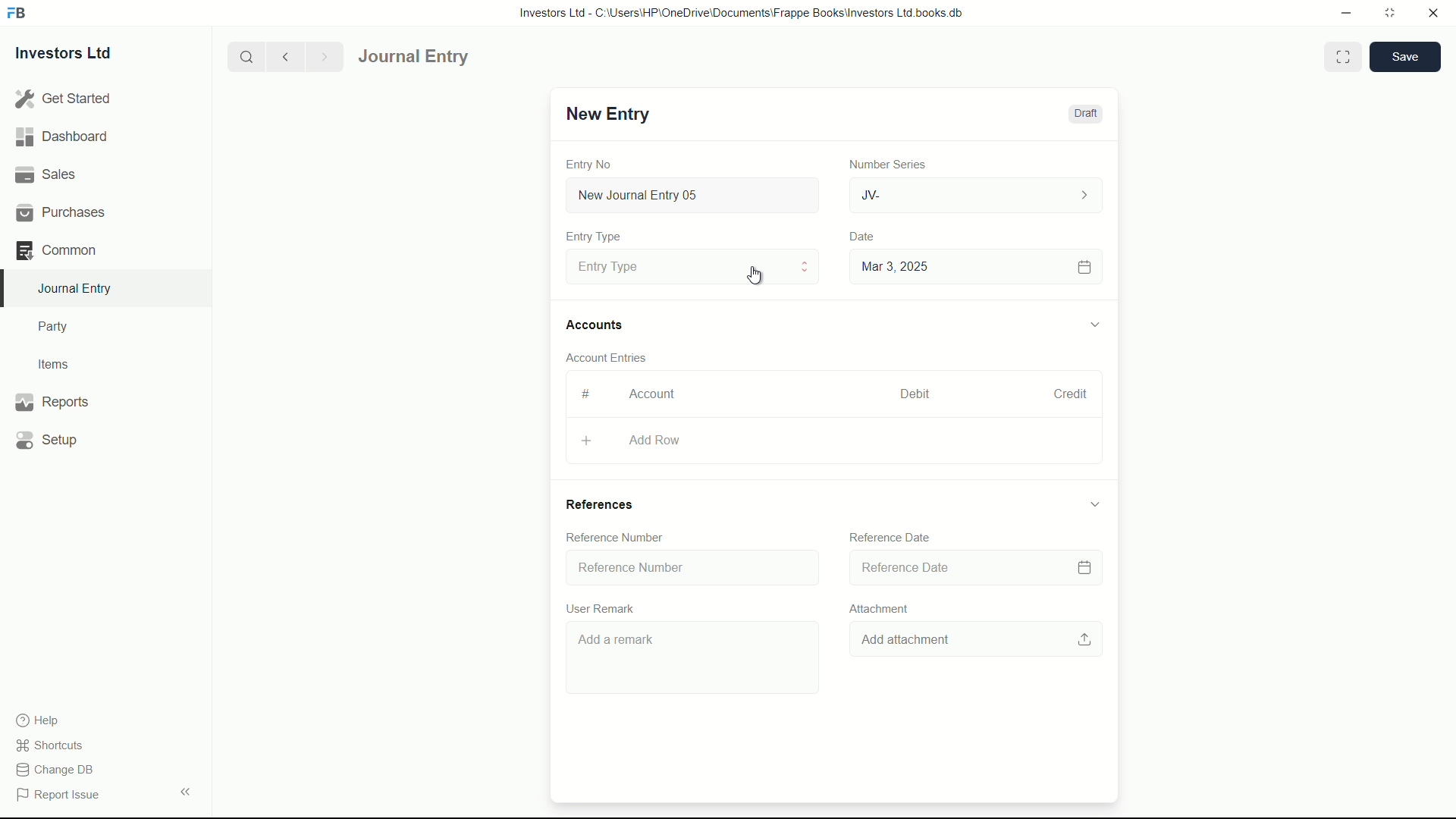  Describe the element at coordinates (691, 265) in the screenshot. I see `Entry Type` at that location.